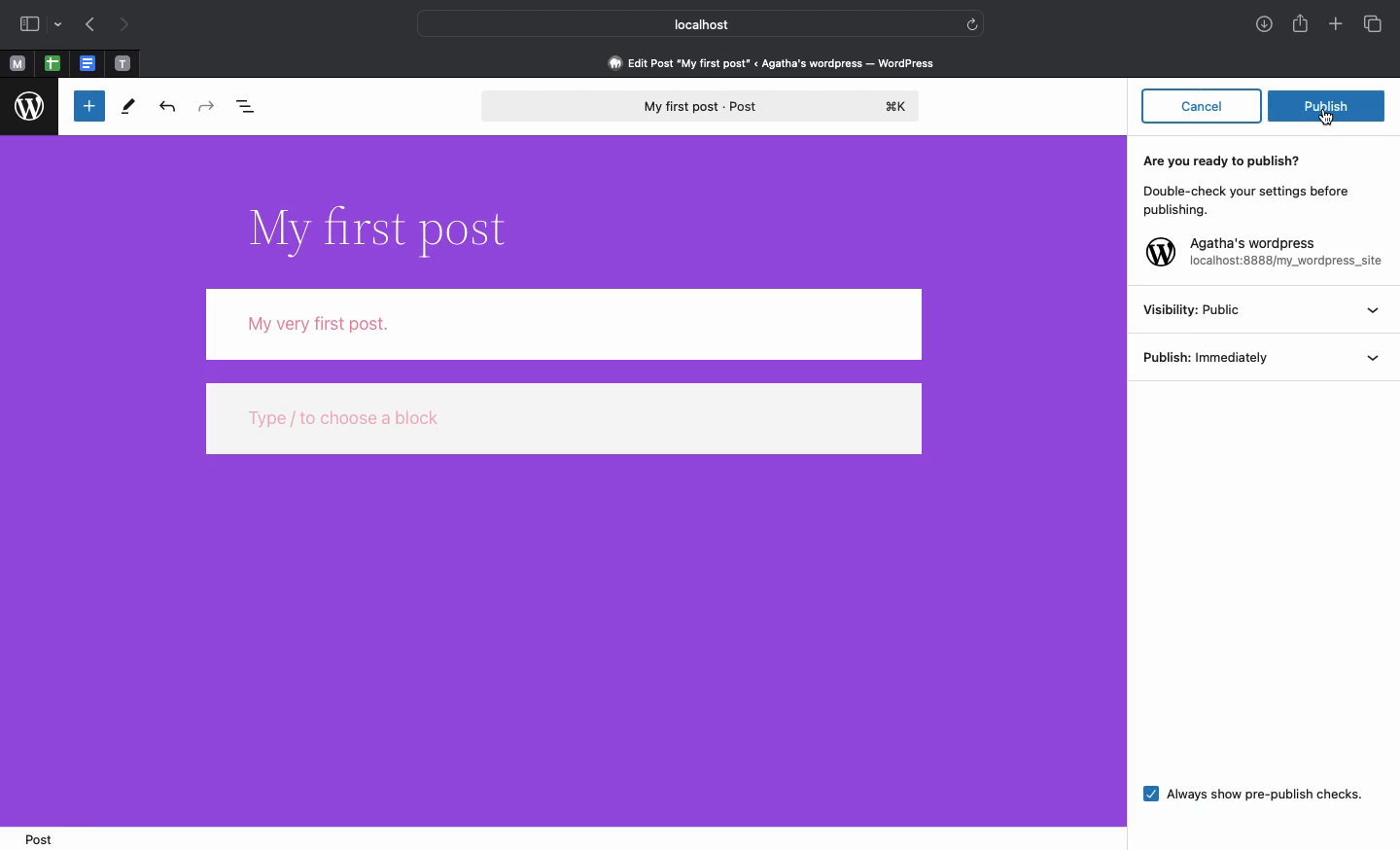 The height and width of the screenshot is (850, 1400). Describe the element at coordinates (974, 23) in the screenshot. I see `refresh` at that location.